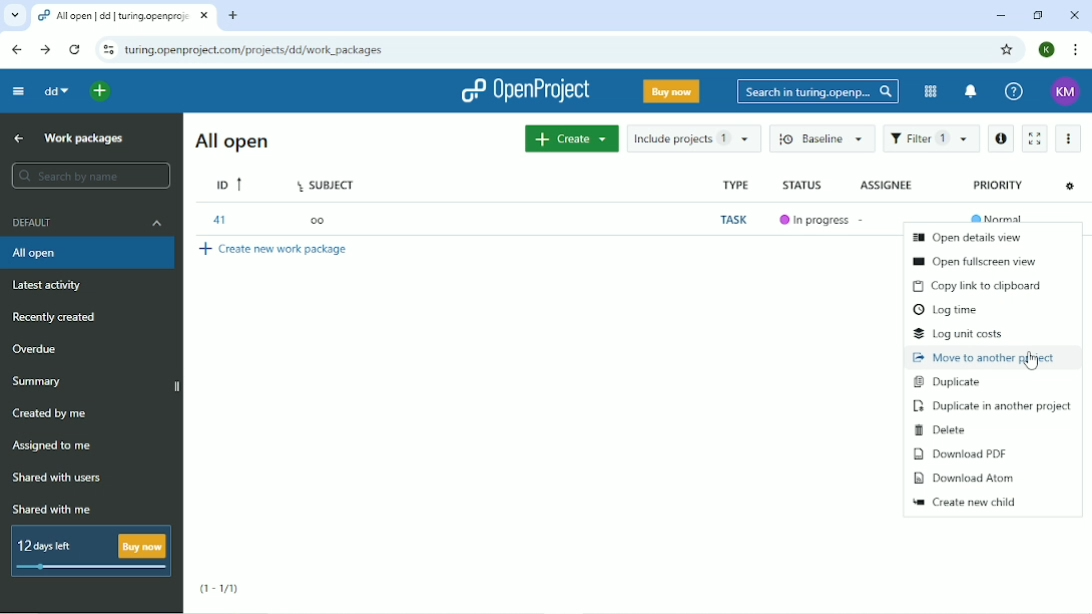 The image size is (1092, 614). I want to click on dd, so click(56, 91).